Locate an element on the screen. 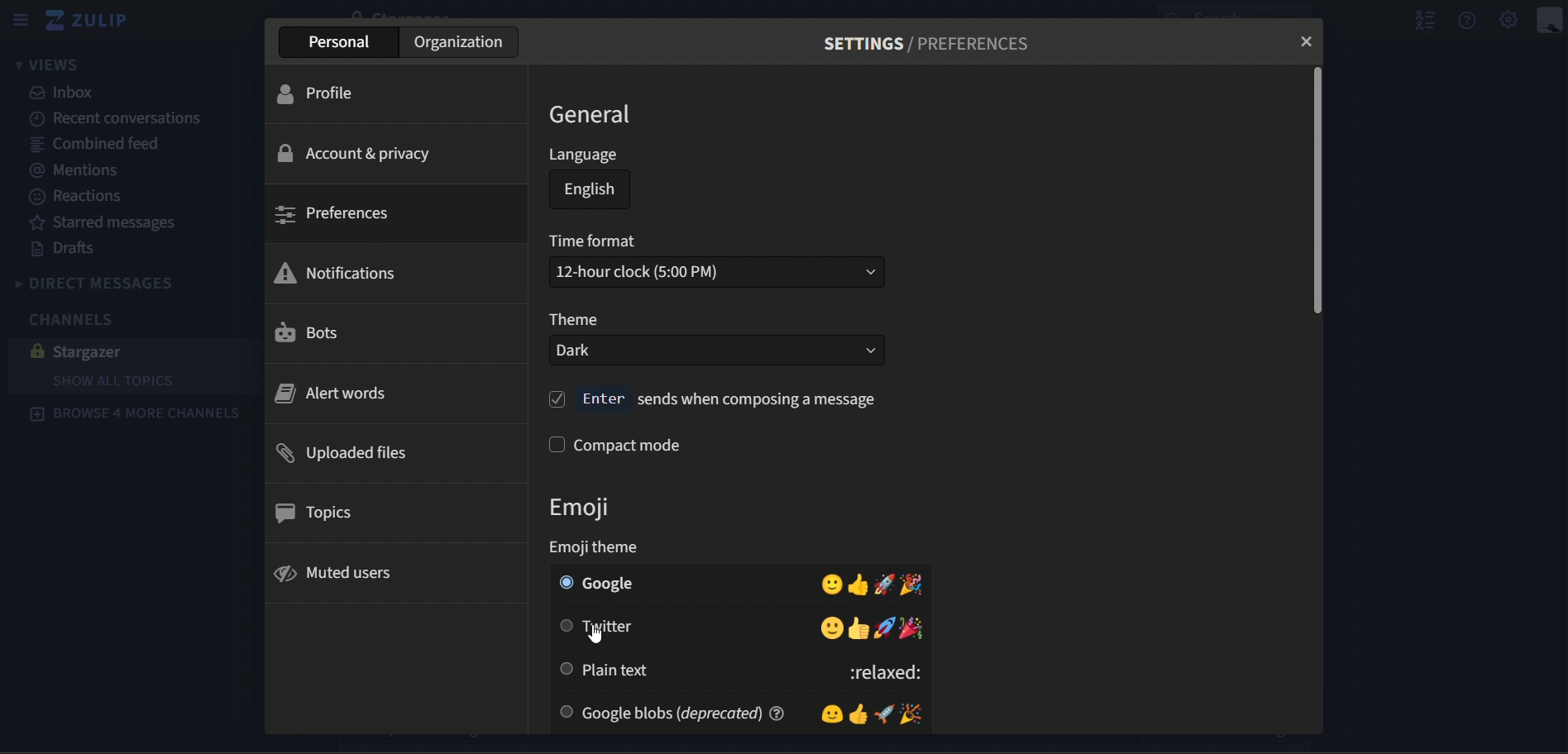 The width and height of the screenshot is (1568, 754). cursor is located at coordinates (597, 635).